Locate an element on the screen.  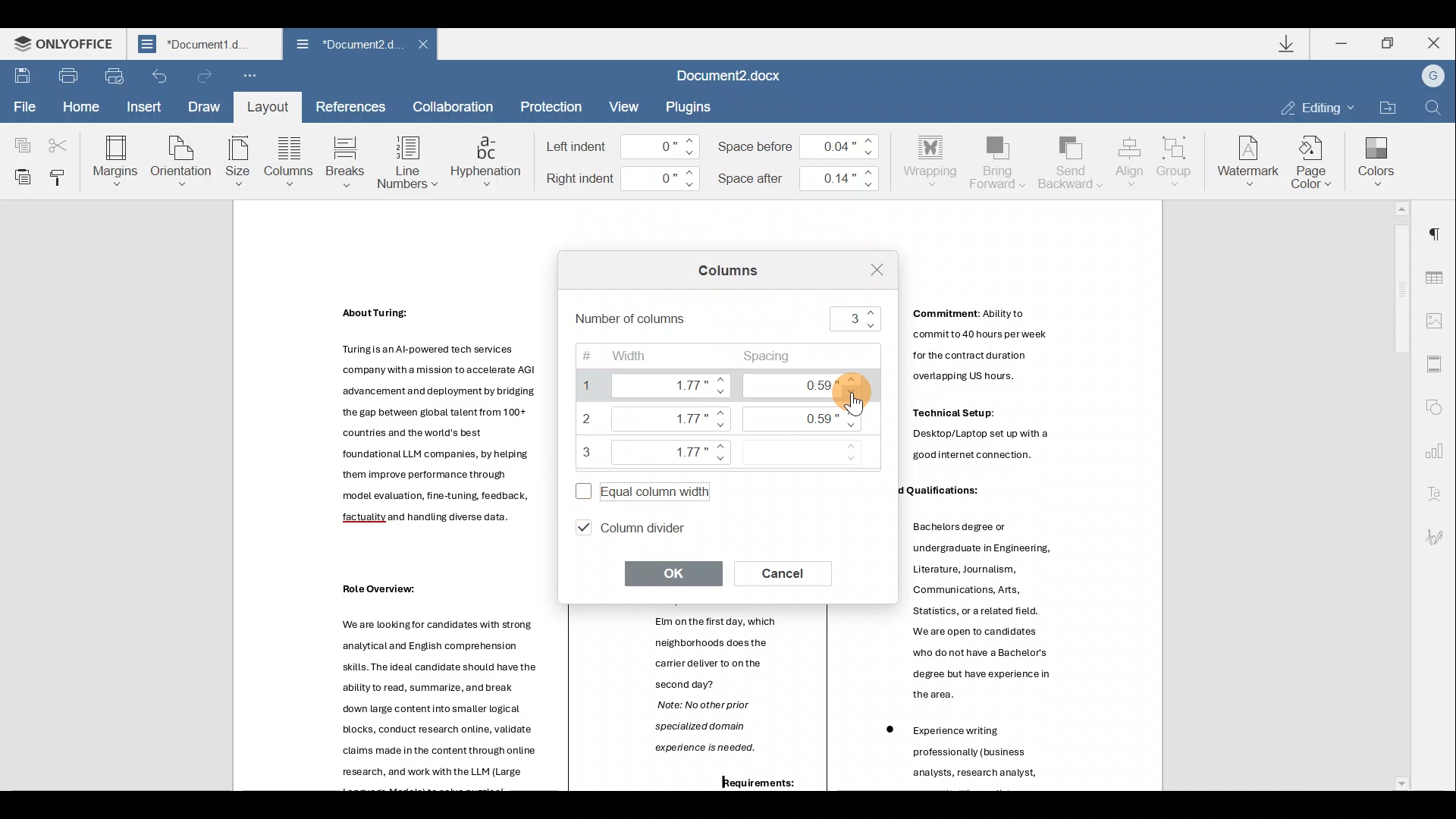
Copy style is located at coordinates (60, 174).